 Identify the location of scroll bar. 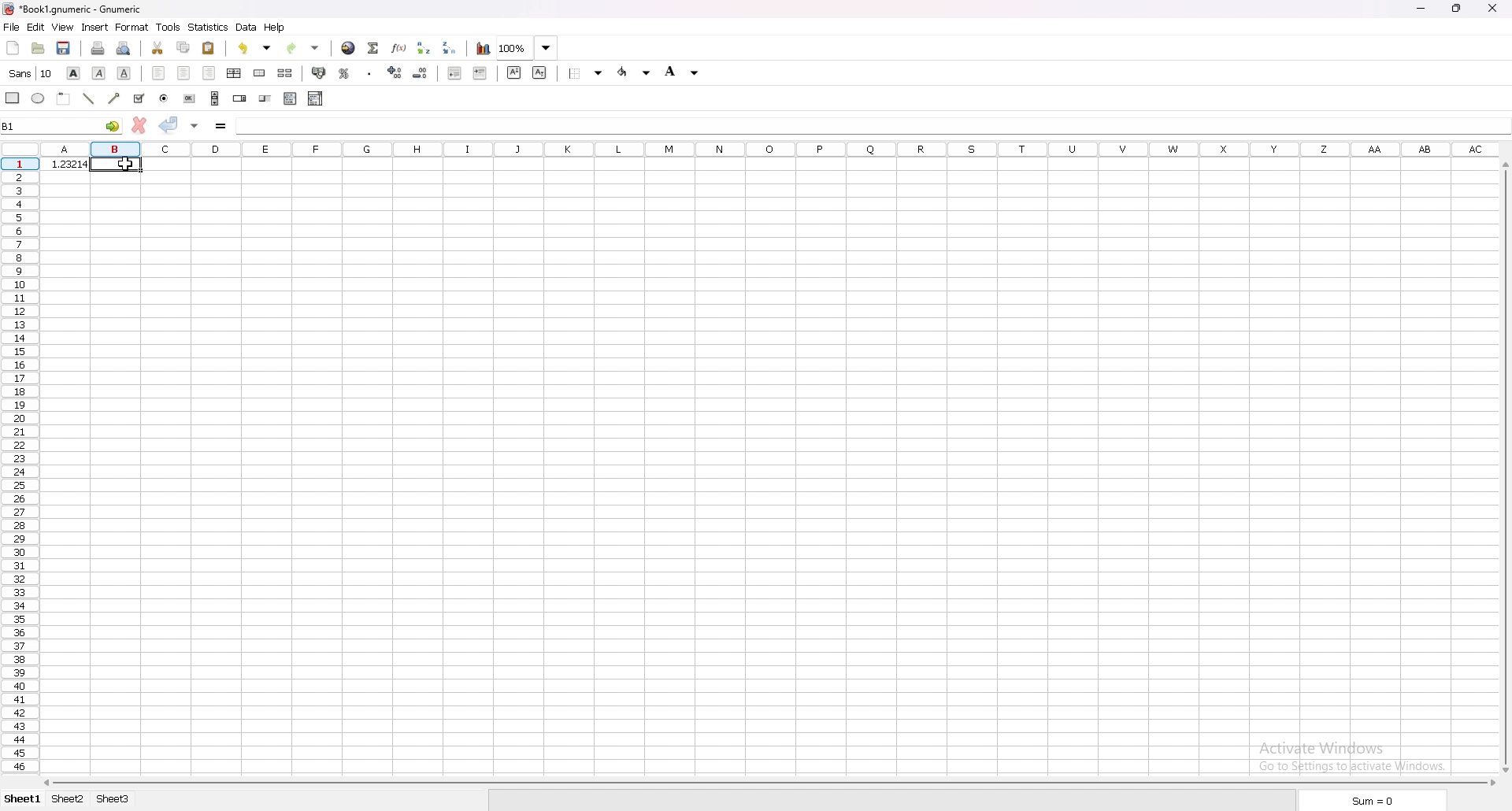
(216, 98).